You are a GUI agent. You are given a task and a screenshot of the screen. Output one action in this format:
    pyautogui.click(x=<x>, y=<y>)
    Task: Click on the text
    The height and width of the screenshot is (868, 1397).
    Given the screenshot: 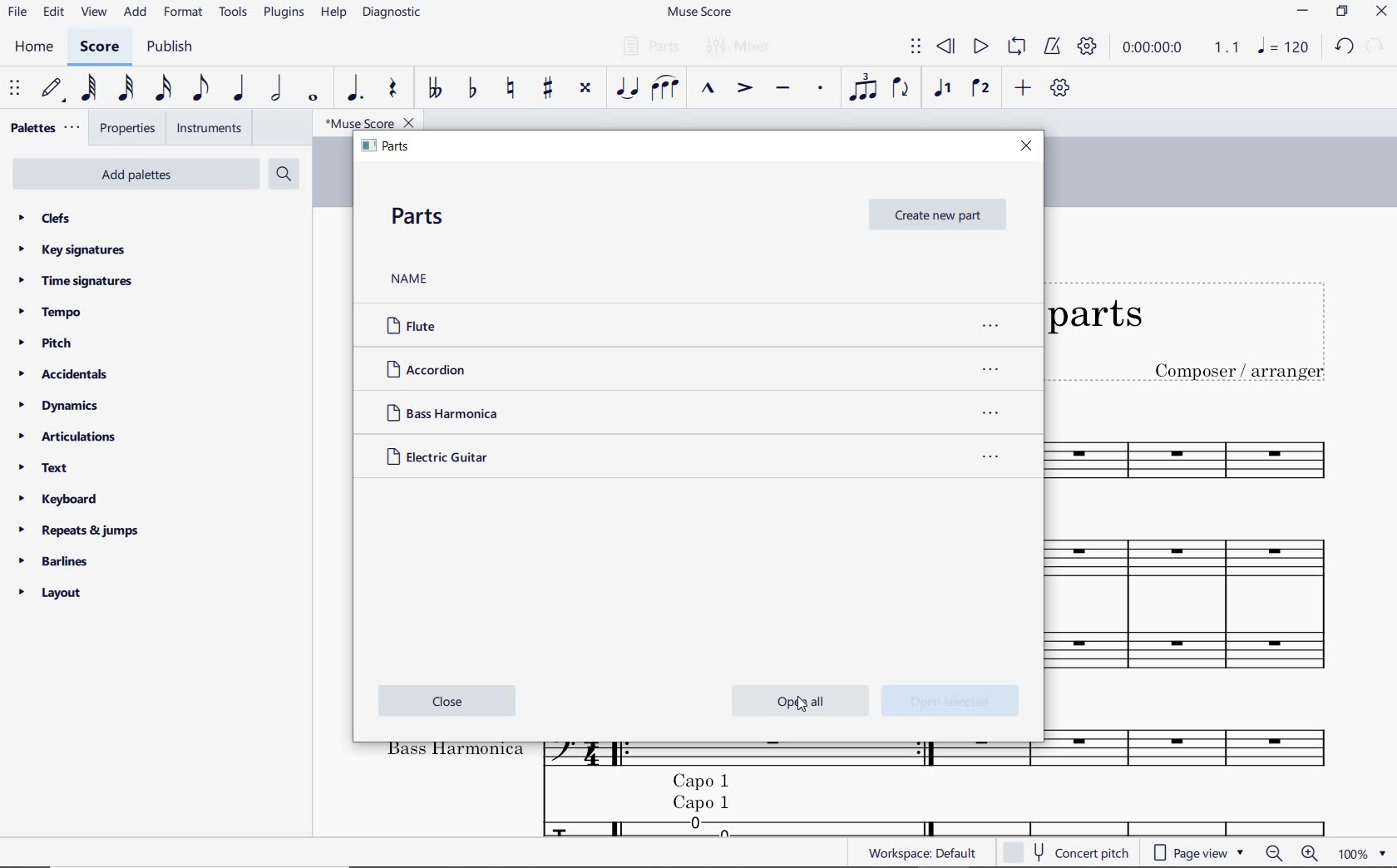 What is the action you would take?
    pyautogui.click(x=39, y=469)
    